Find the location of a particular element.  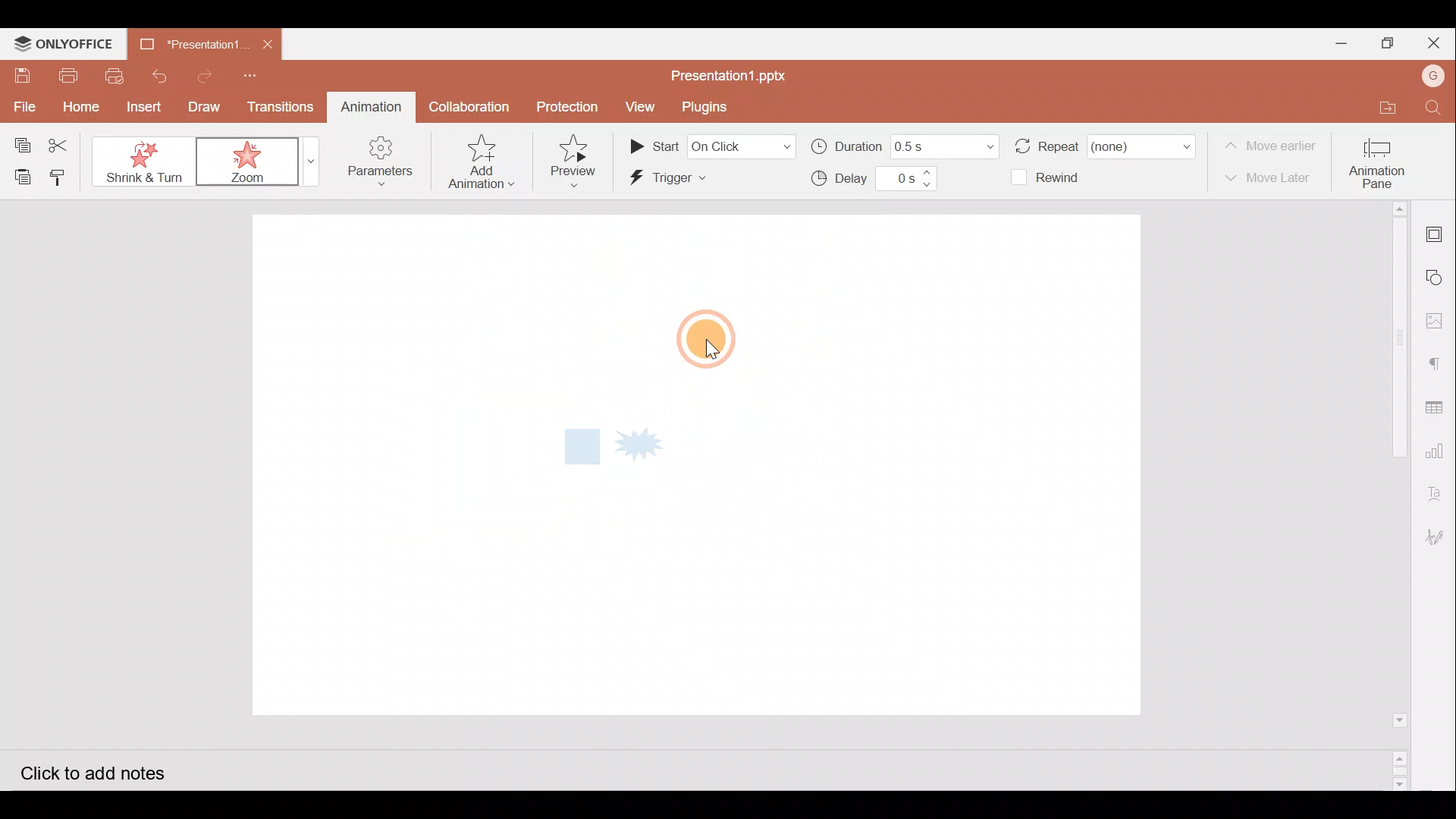

Cursor is located at coordinates (698, 338).